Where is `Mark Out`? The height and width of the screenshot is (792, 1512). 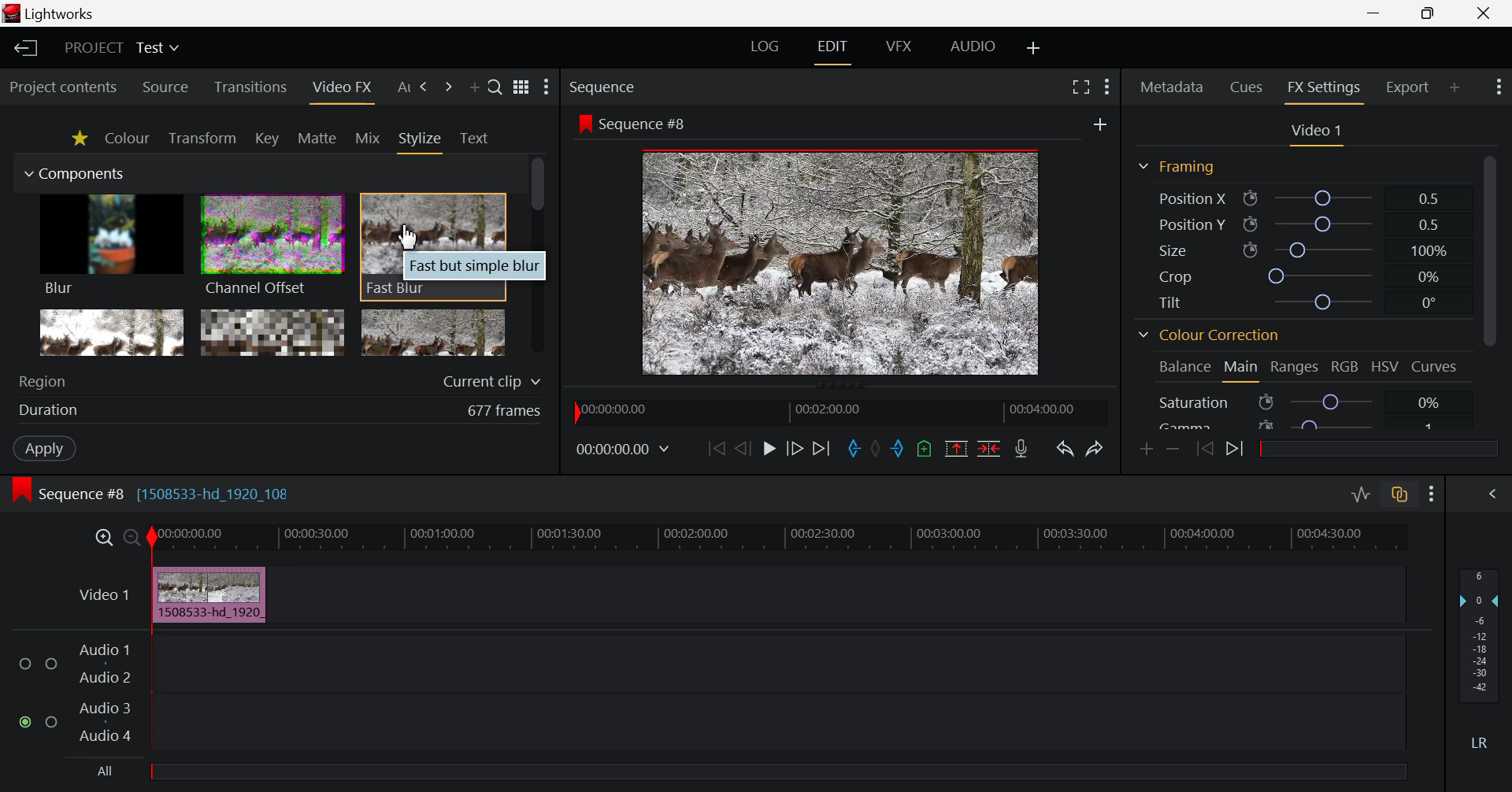
Mark Out is located at coordinates (896, 450).